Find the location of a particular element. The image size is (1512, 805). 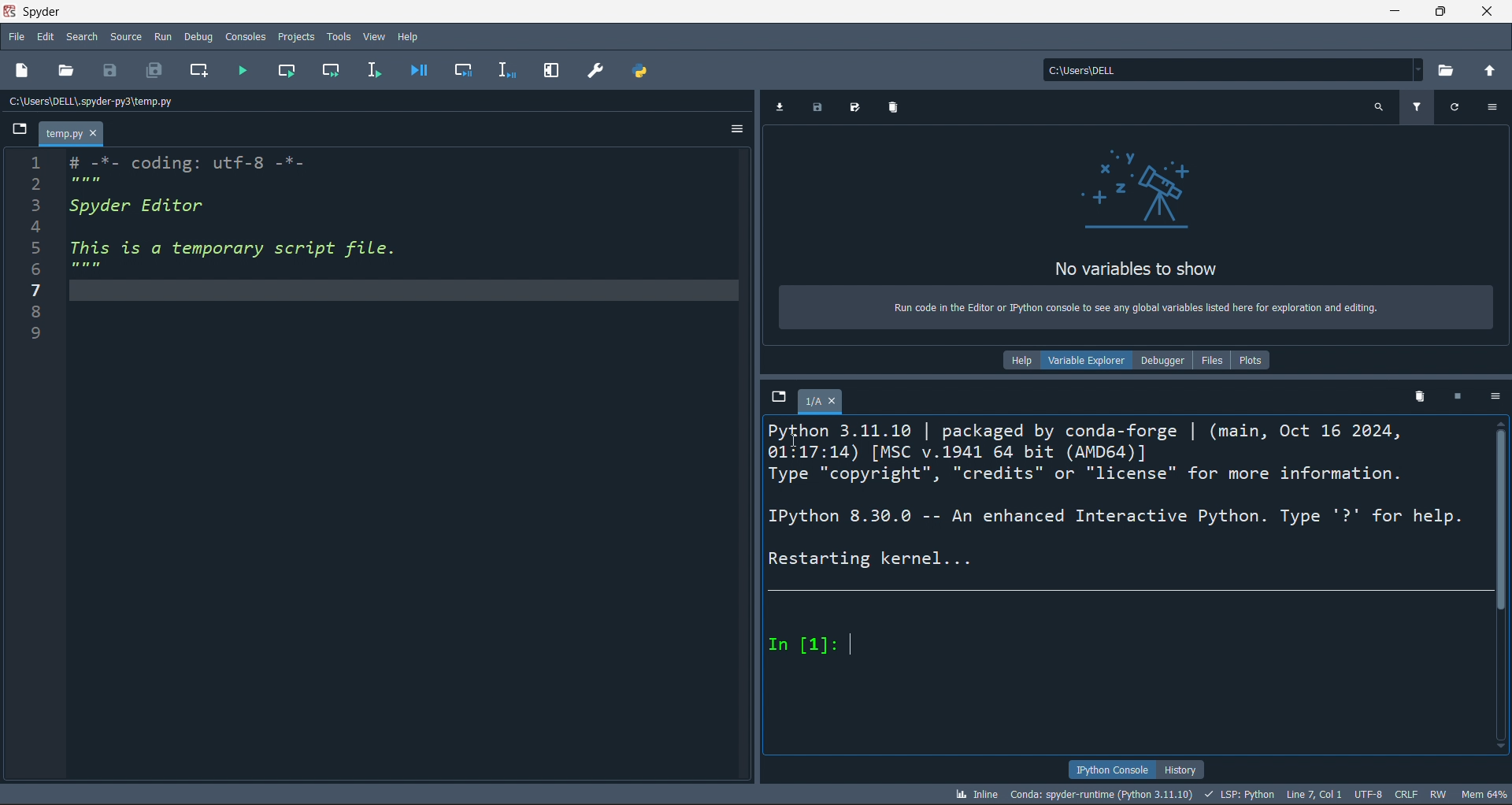

files is located at coordinates (1210, 360).